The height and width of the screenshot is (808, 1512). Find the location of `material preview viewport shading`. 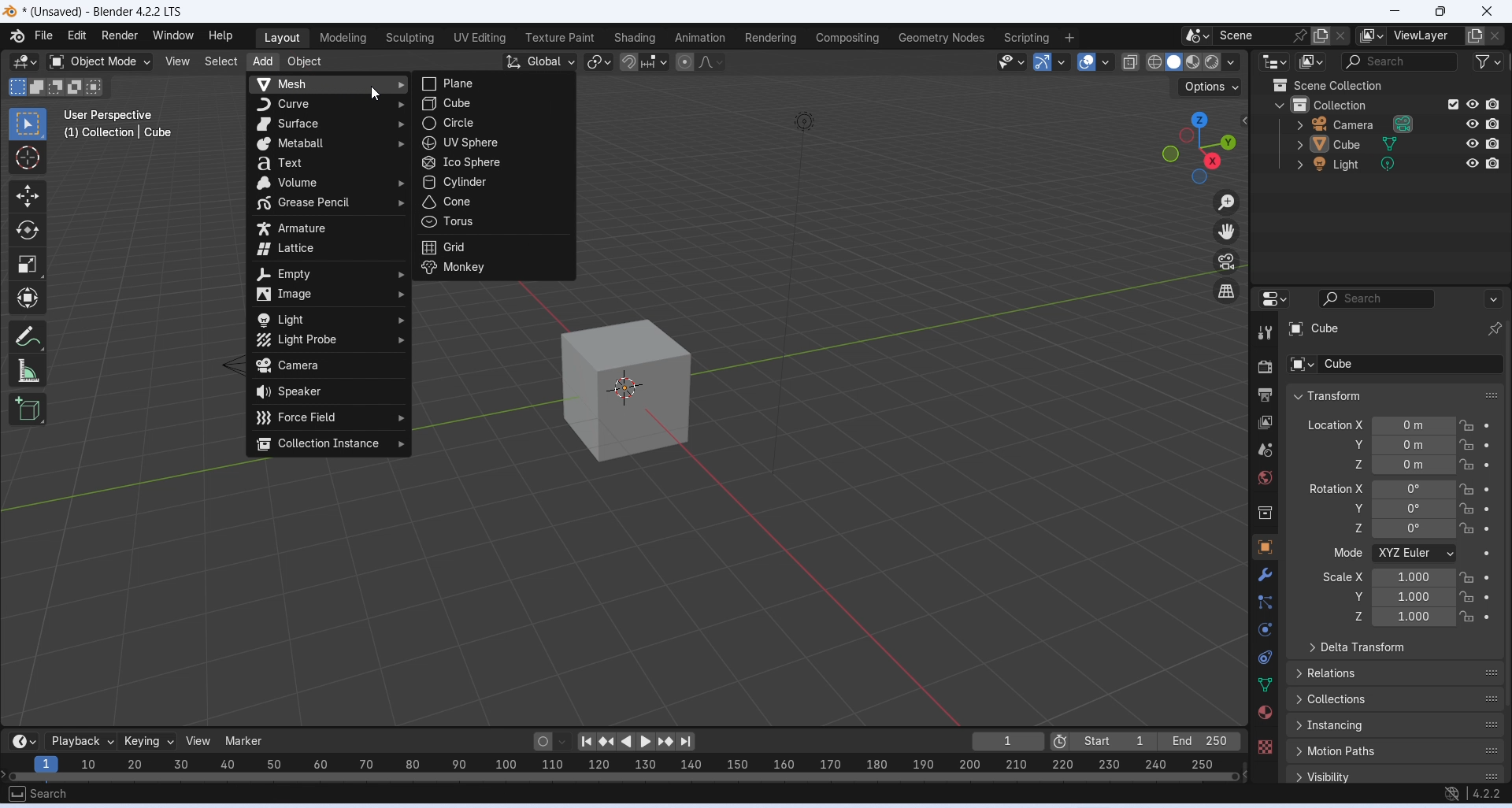

material preview viewport shading is located at coordinates (1193, 61).